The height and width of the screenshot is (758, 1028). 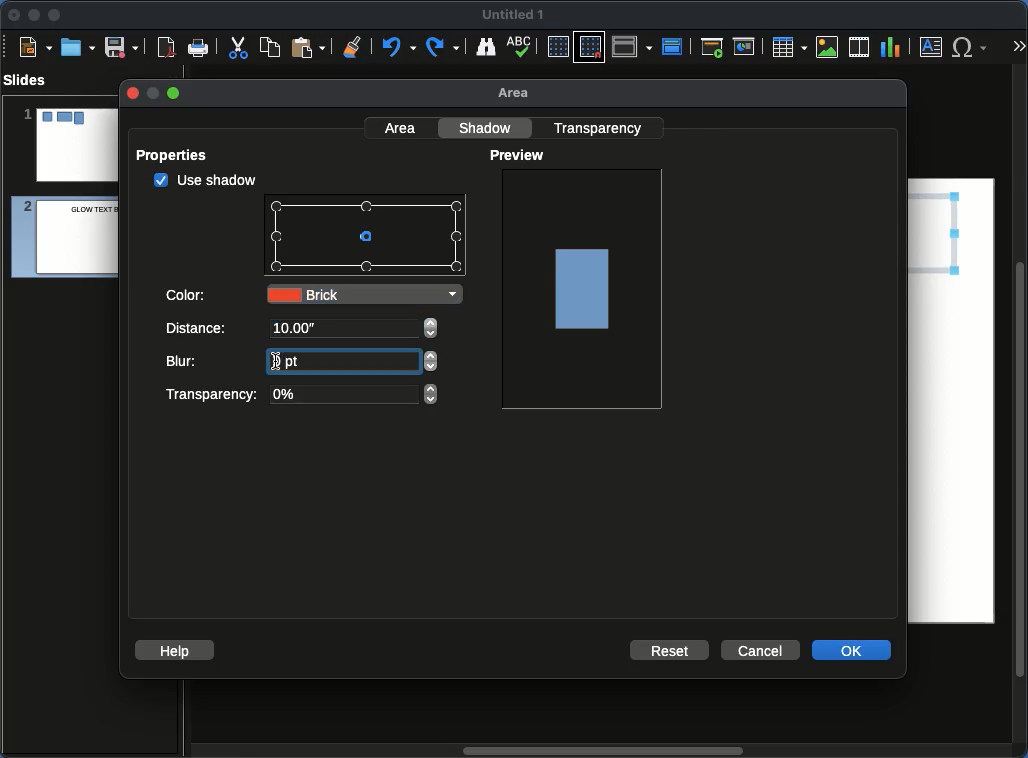 I want to click on Points, so click(x=367, y=238).